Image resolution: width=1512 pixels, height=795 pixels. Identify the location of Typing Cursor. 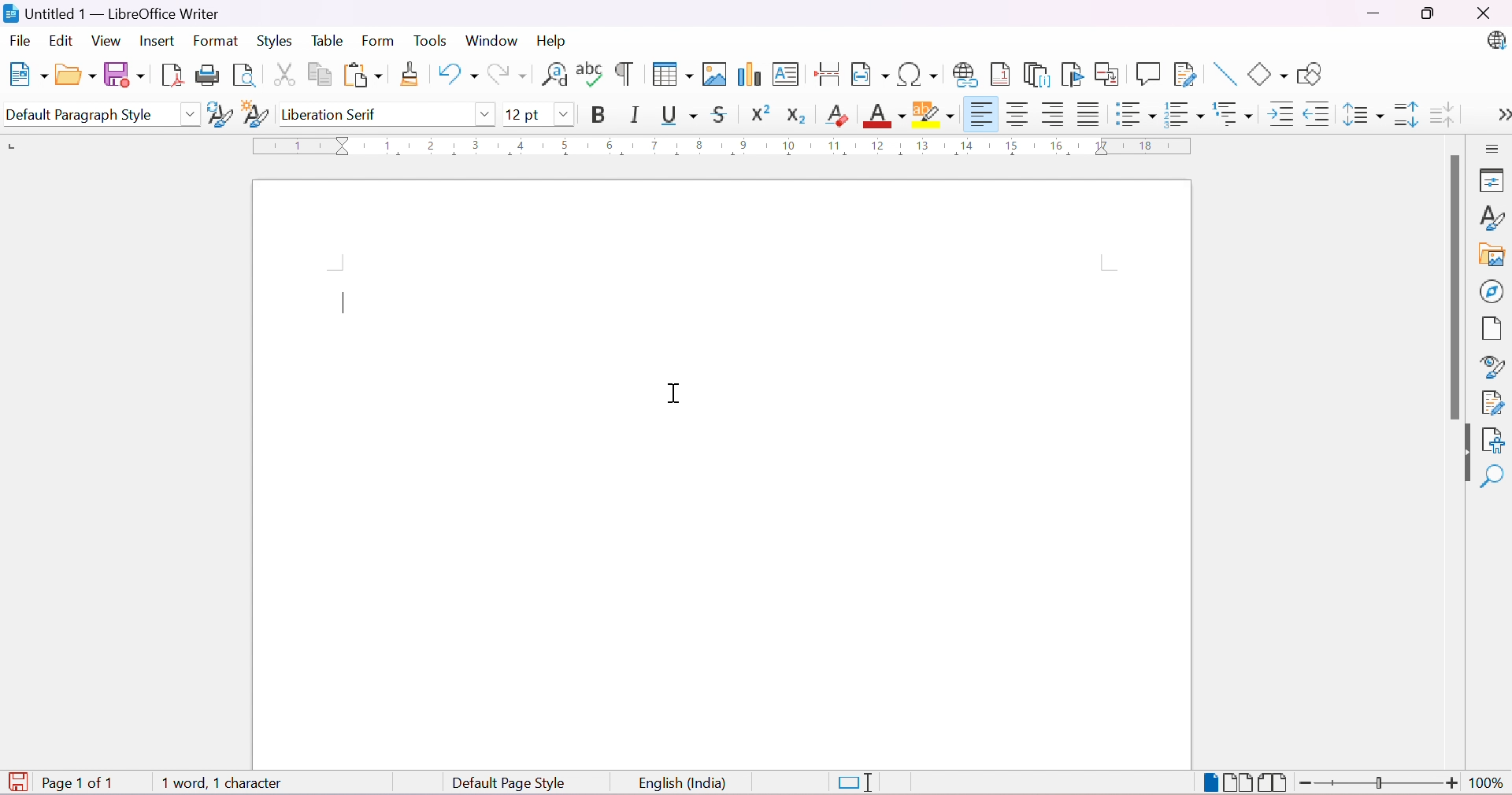
(344, 303).